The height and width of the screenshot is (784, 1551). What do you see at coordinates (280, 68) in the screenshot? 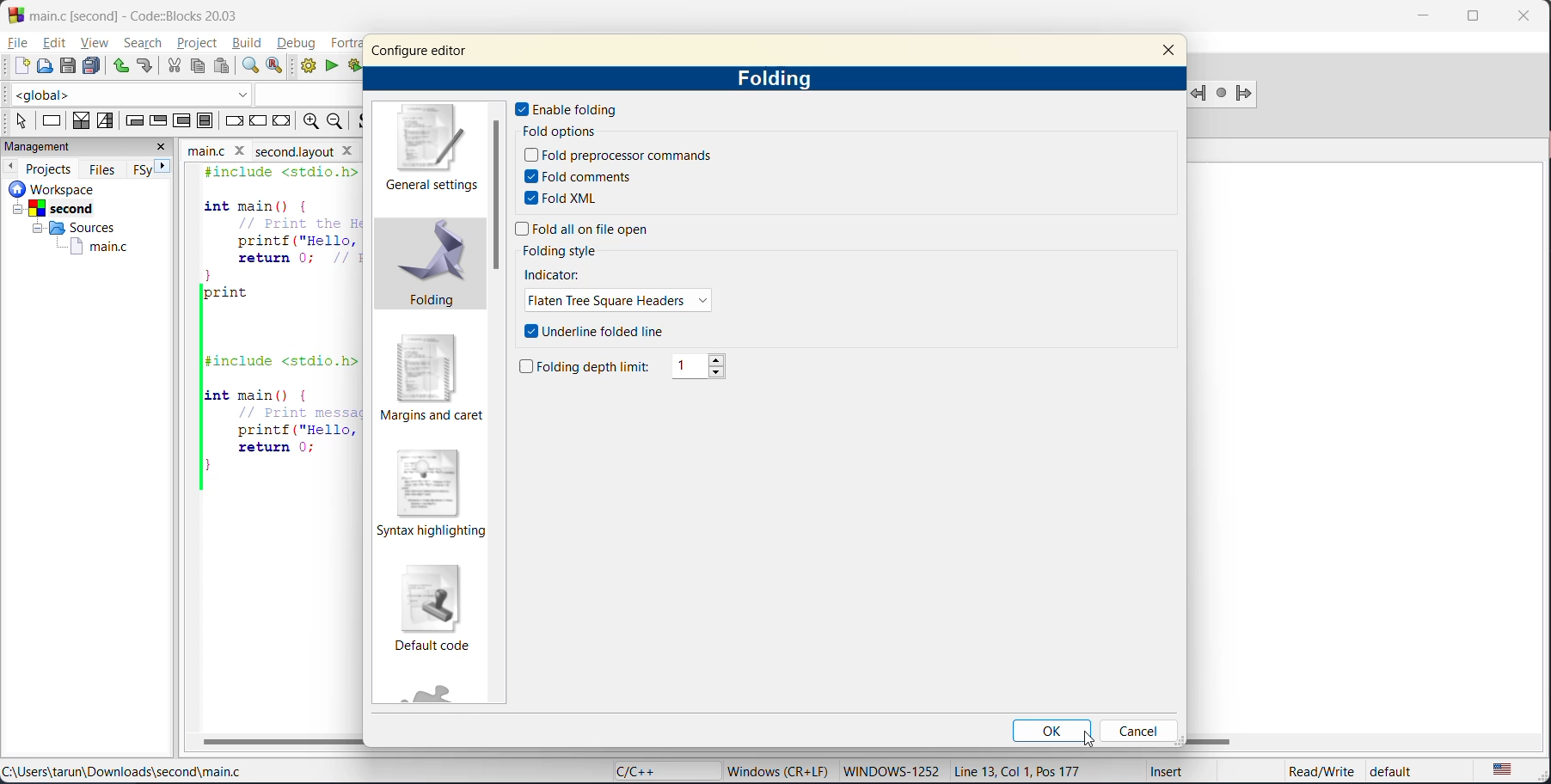
I see `replace` at bounding box center [280, 68].